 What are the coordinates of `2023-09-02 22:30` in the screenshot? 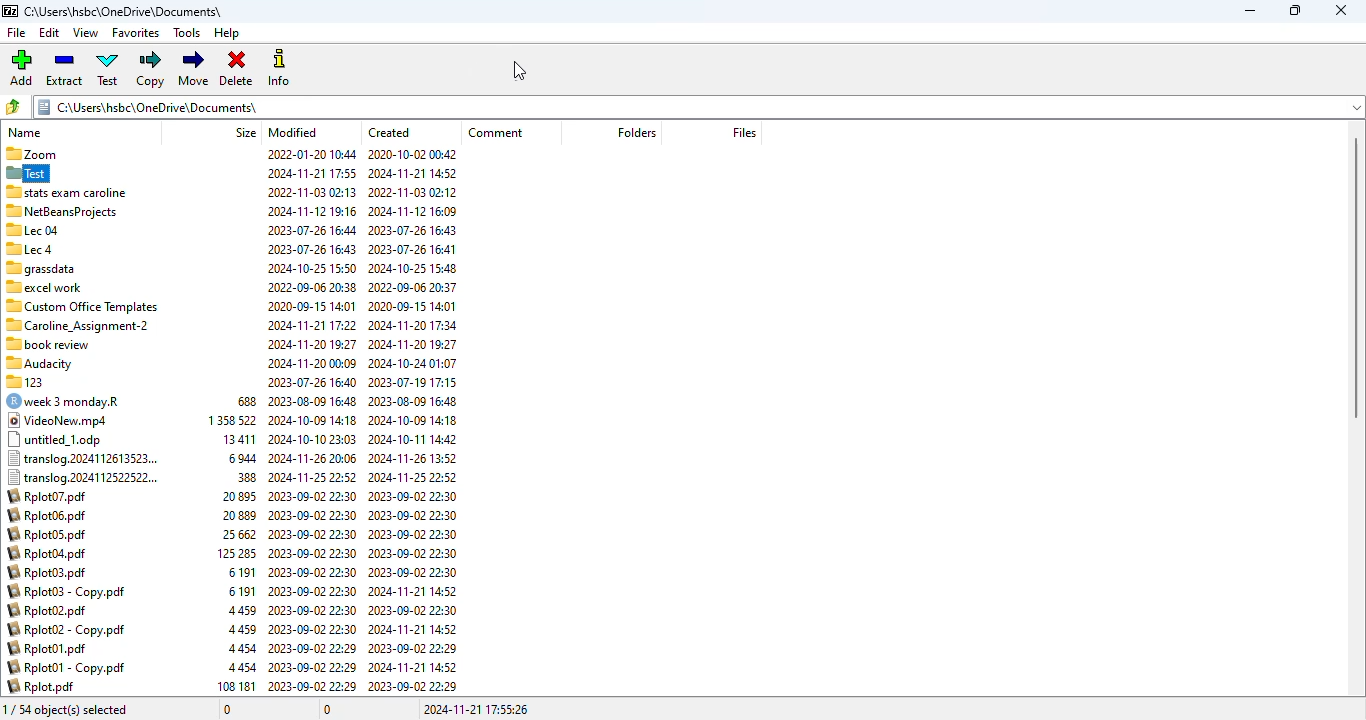 It's located at (313, 534).